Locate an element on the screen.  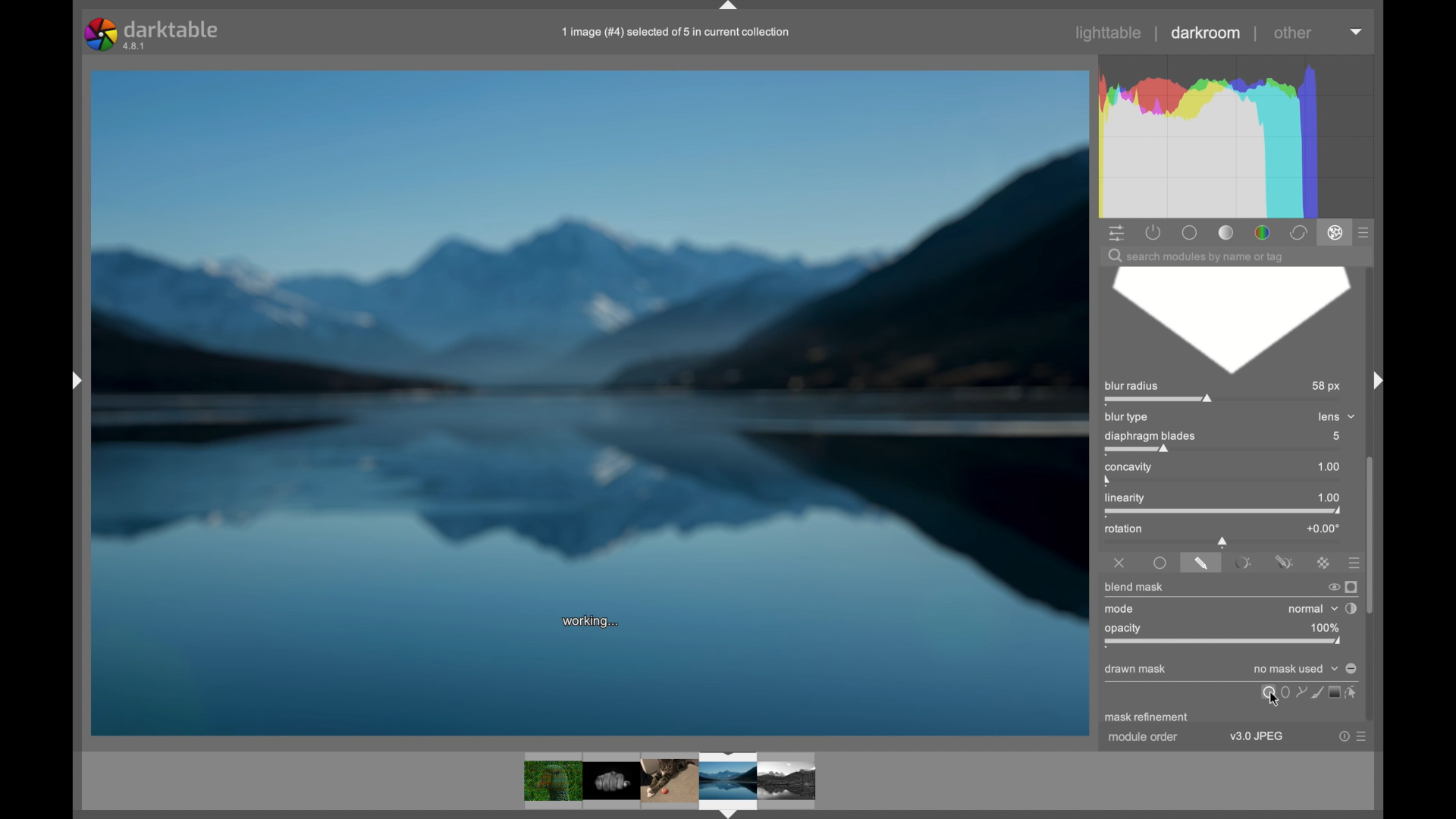
select is located at coordinates (1356, 694).